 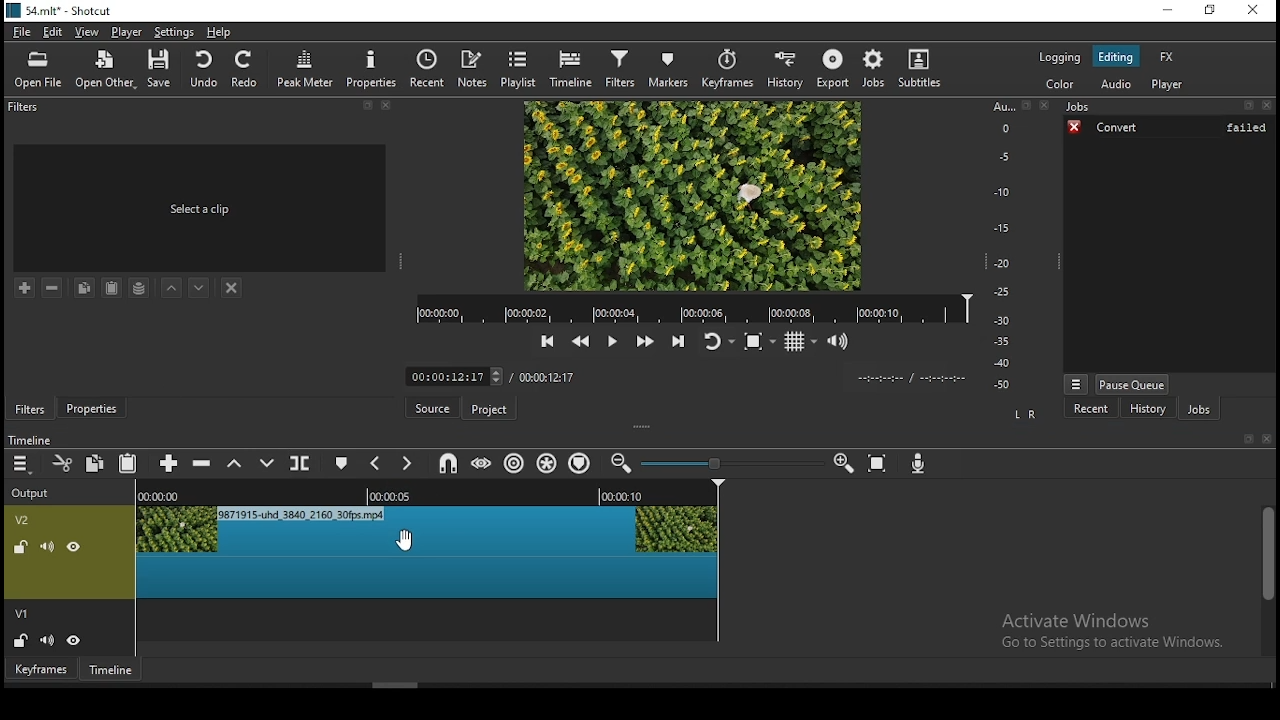 What do you see at coordinates (219, 33) in the screenshot?
I see `help` at bounding box center [219, 33].